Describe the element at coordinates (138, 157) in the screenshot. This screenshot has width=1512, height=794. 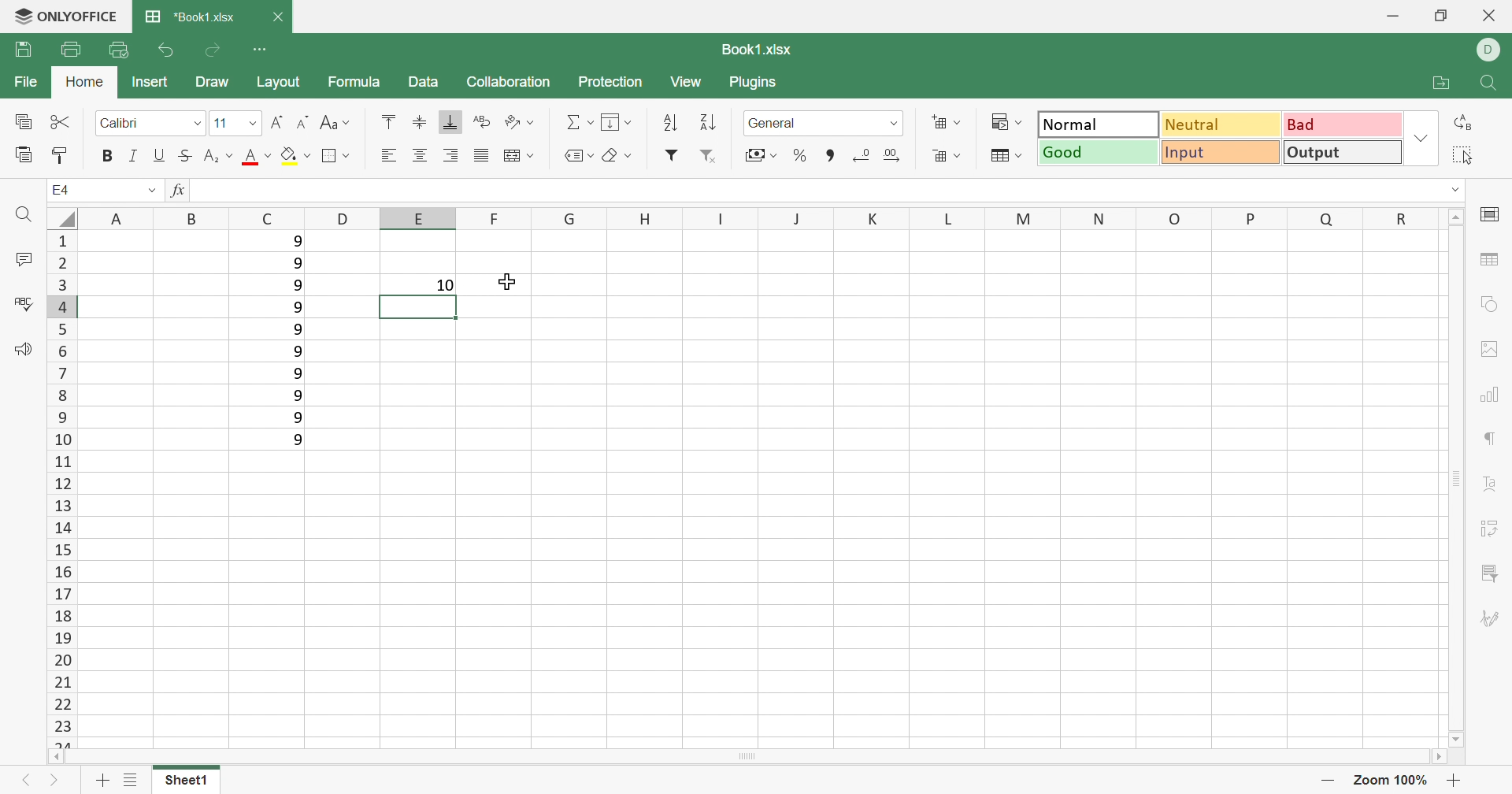
I see `Italic` at that location.